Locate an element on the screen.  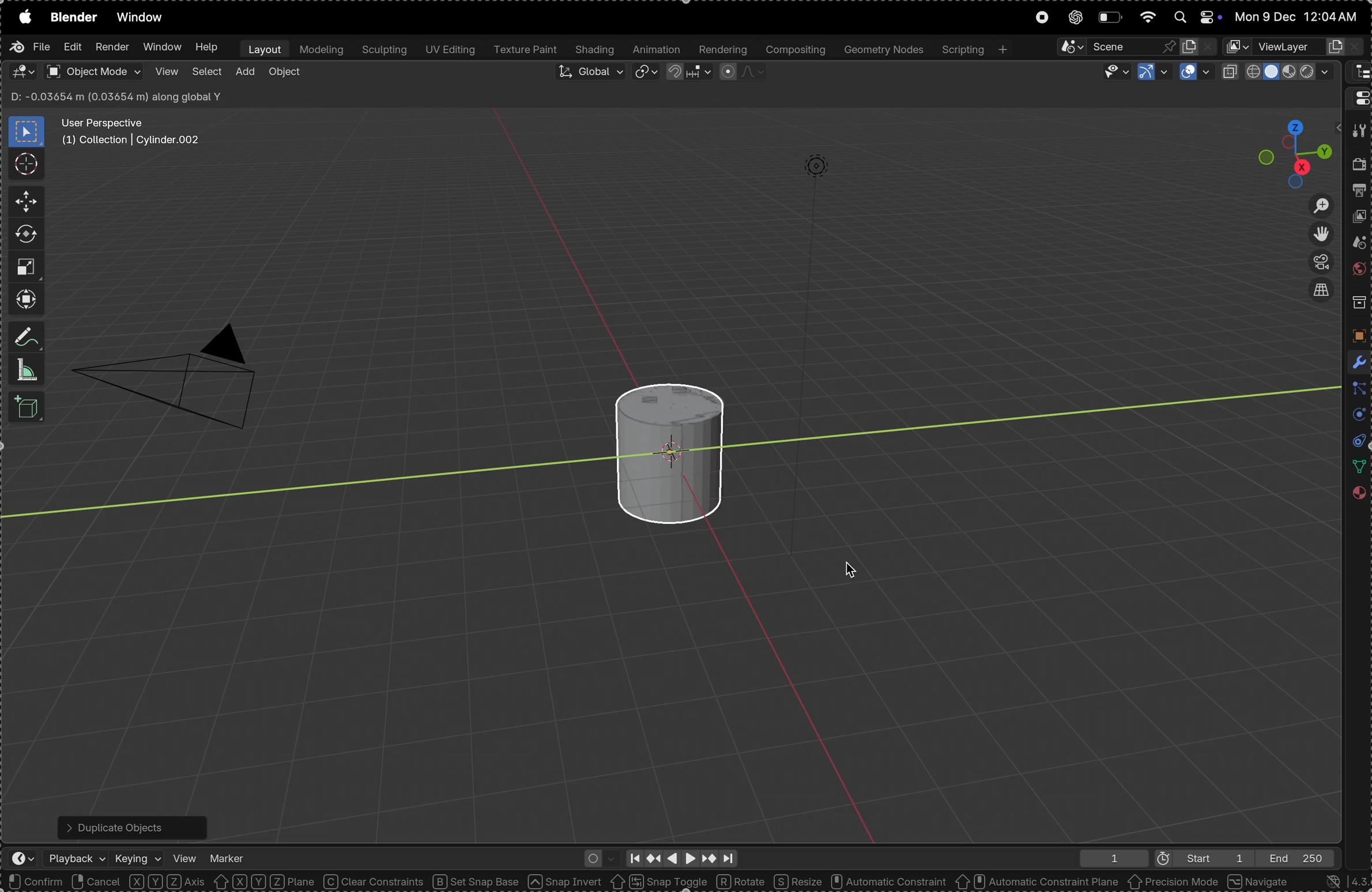
zoom is located at coordinates (1314, 205).